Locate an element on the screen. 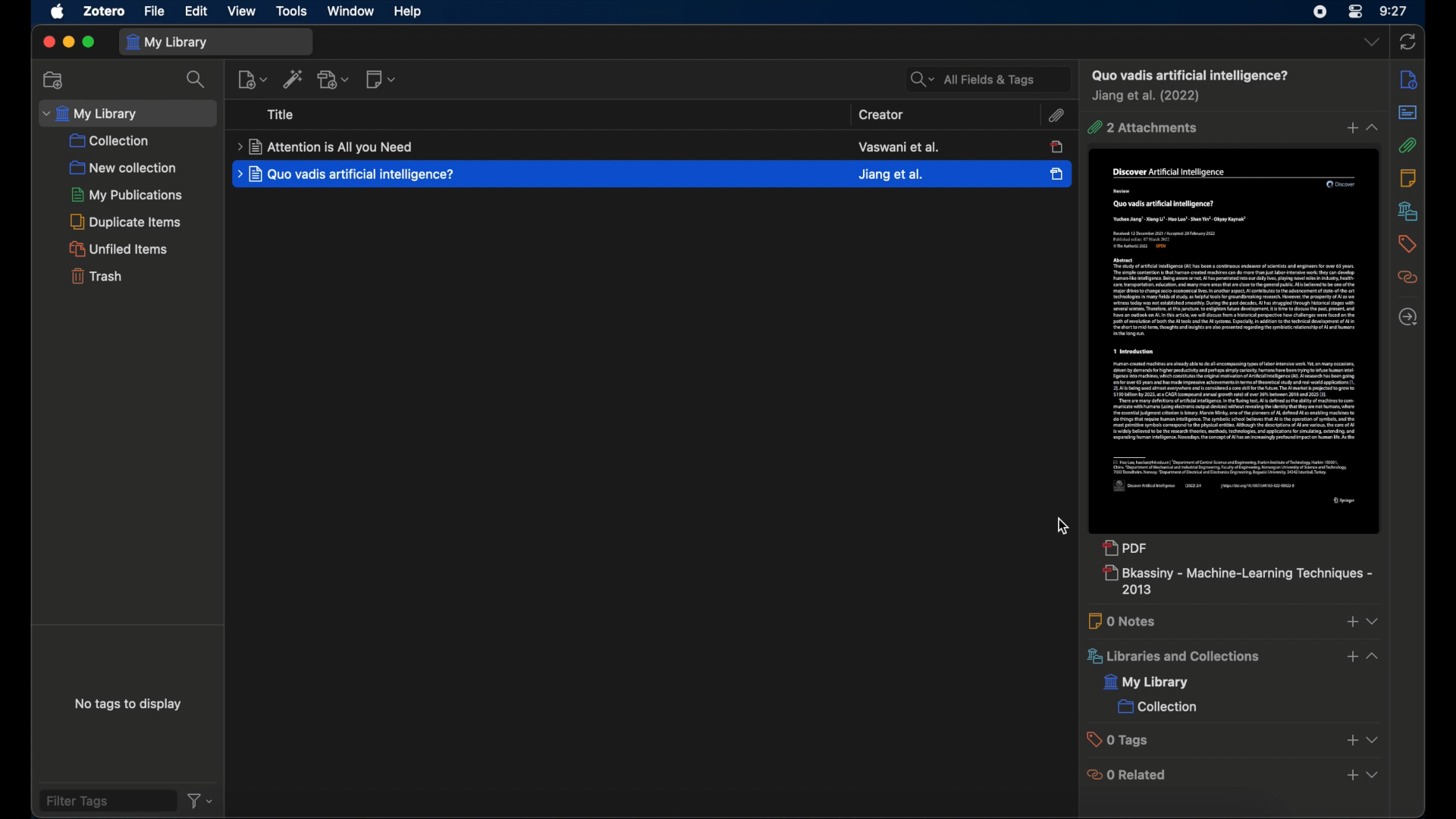  close is located at coordinates (46, 42).